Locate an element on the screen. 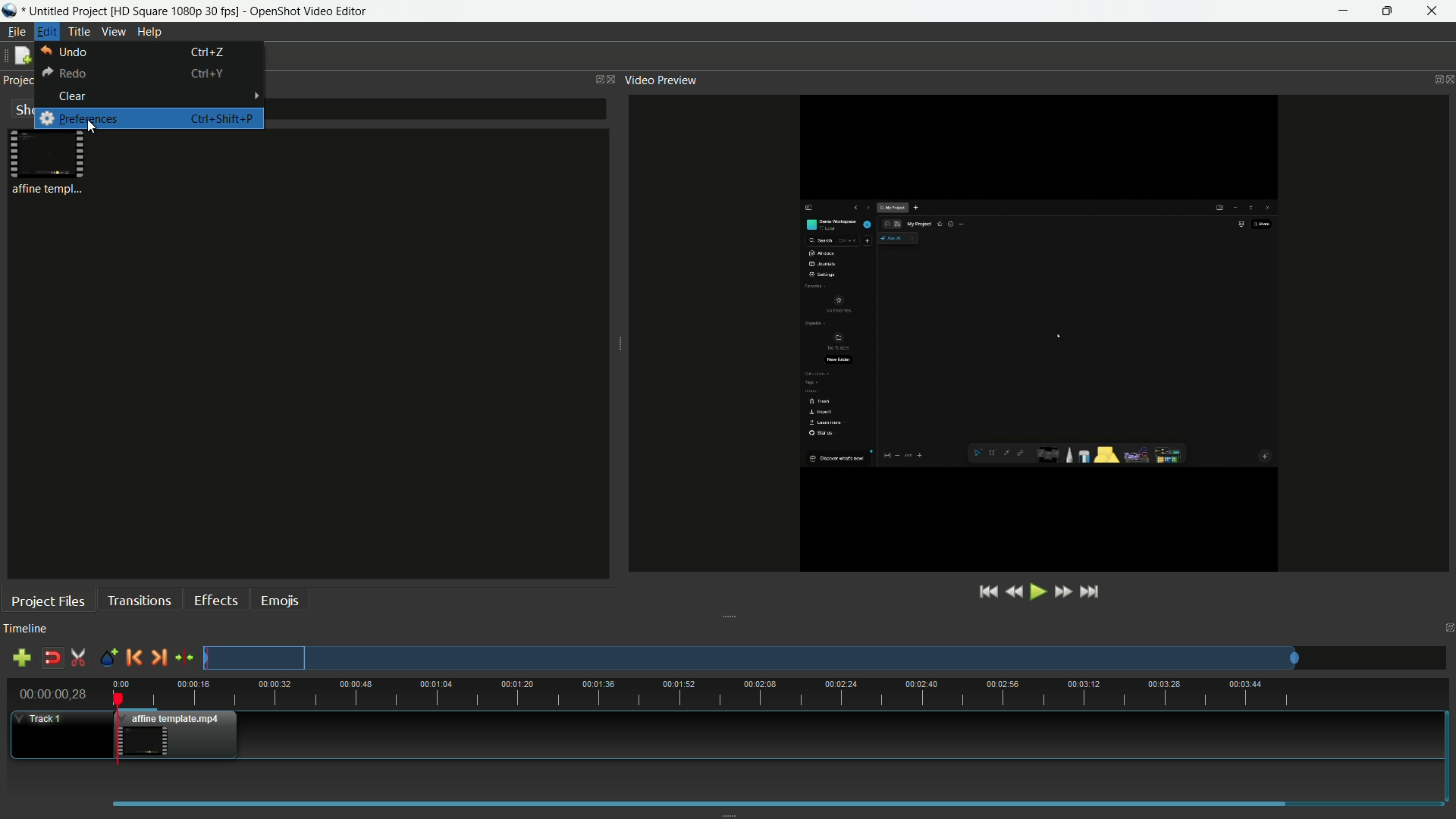 The image size is (1456, 819). play or pause is located at coordinates (1037, 591).